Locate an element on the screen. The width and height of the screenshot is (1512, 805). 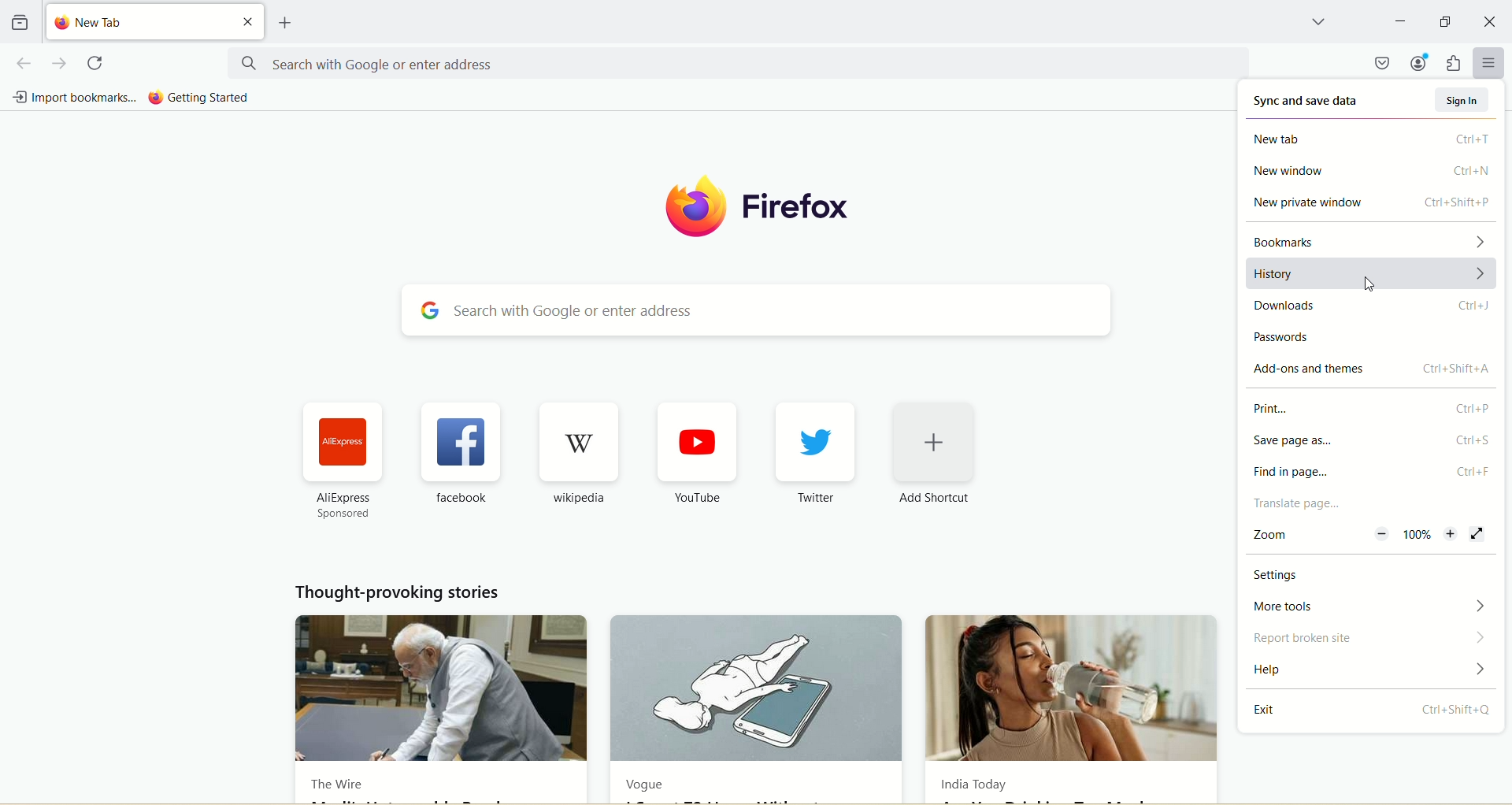
aliexpress is located at coordinates (344, 445).